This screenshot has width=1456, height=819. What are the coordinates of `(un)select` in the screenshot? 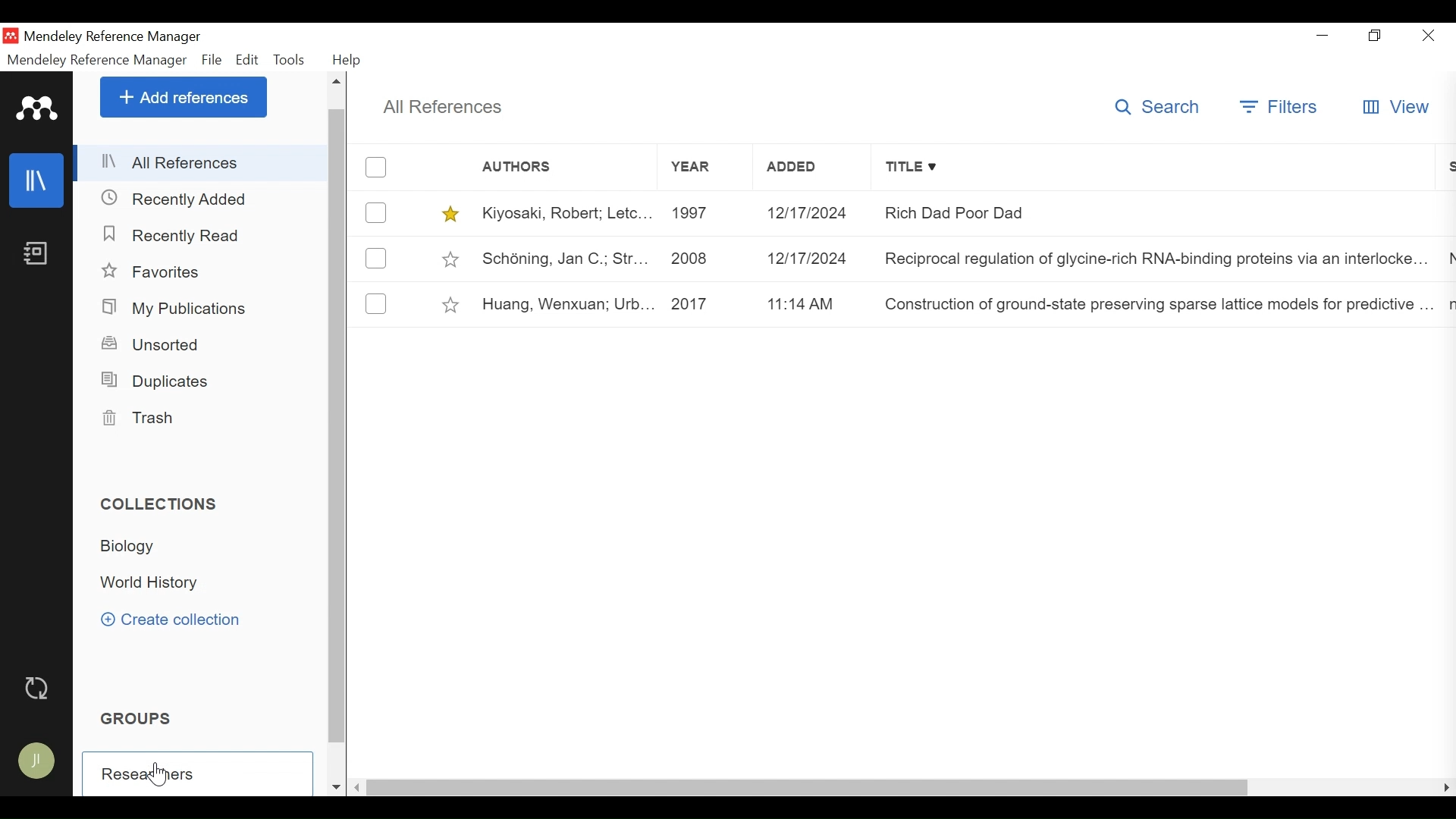 It's located at (378, 167).